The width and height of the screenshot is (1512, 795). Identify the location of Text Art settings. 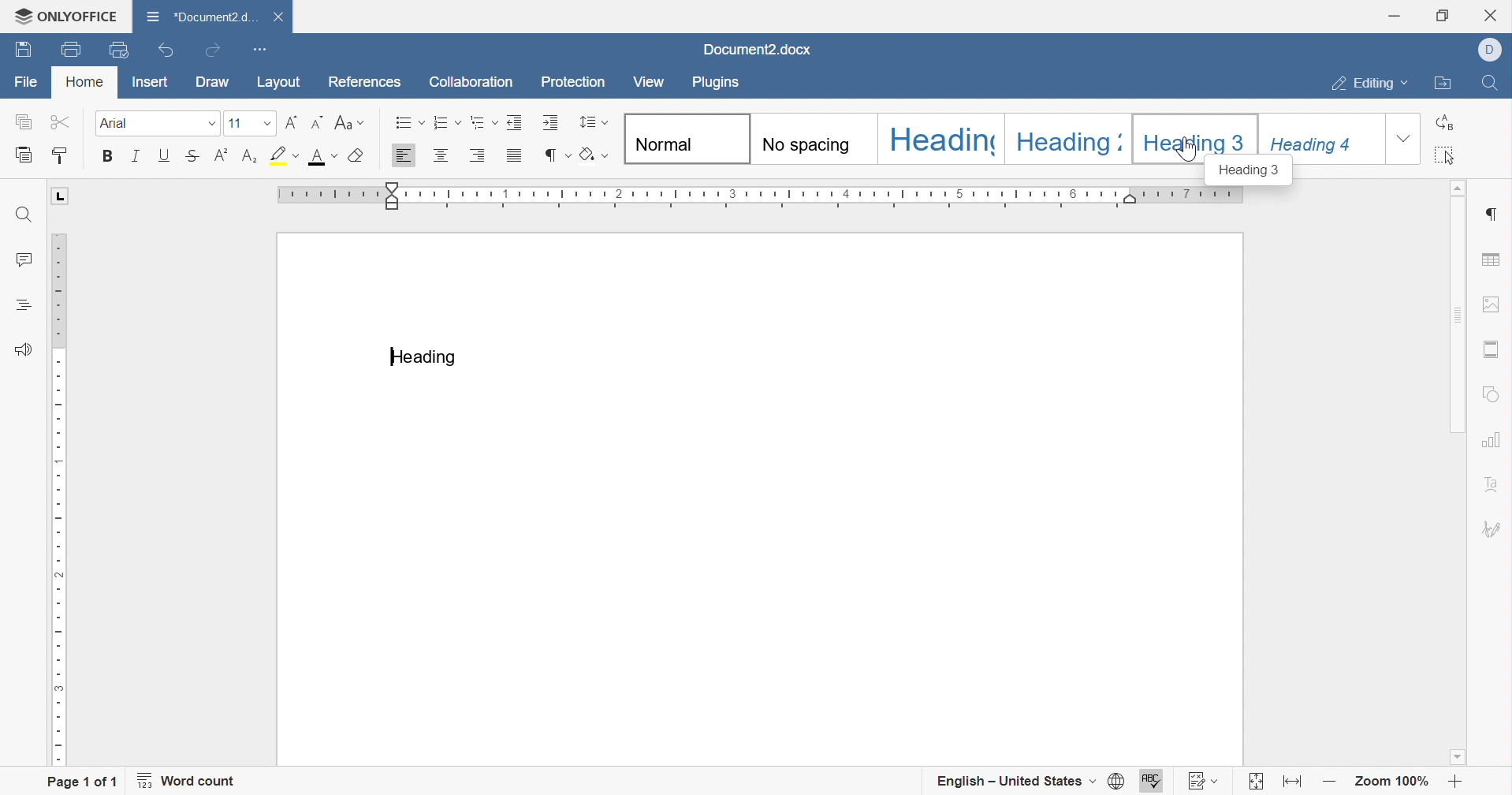
(1495, 478).